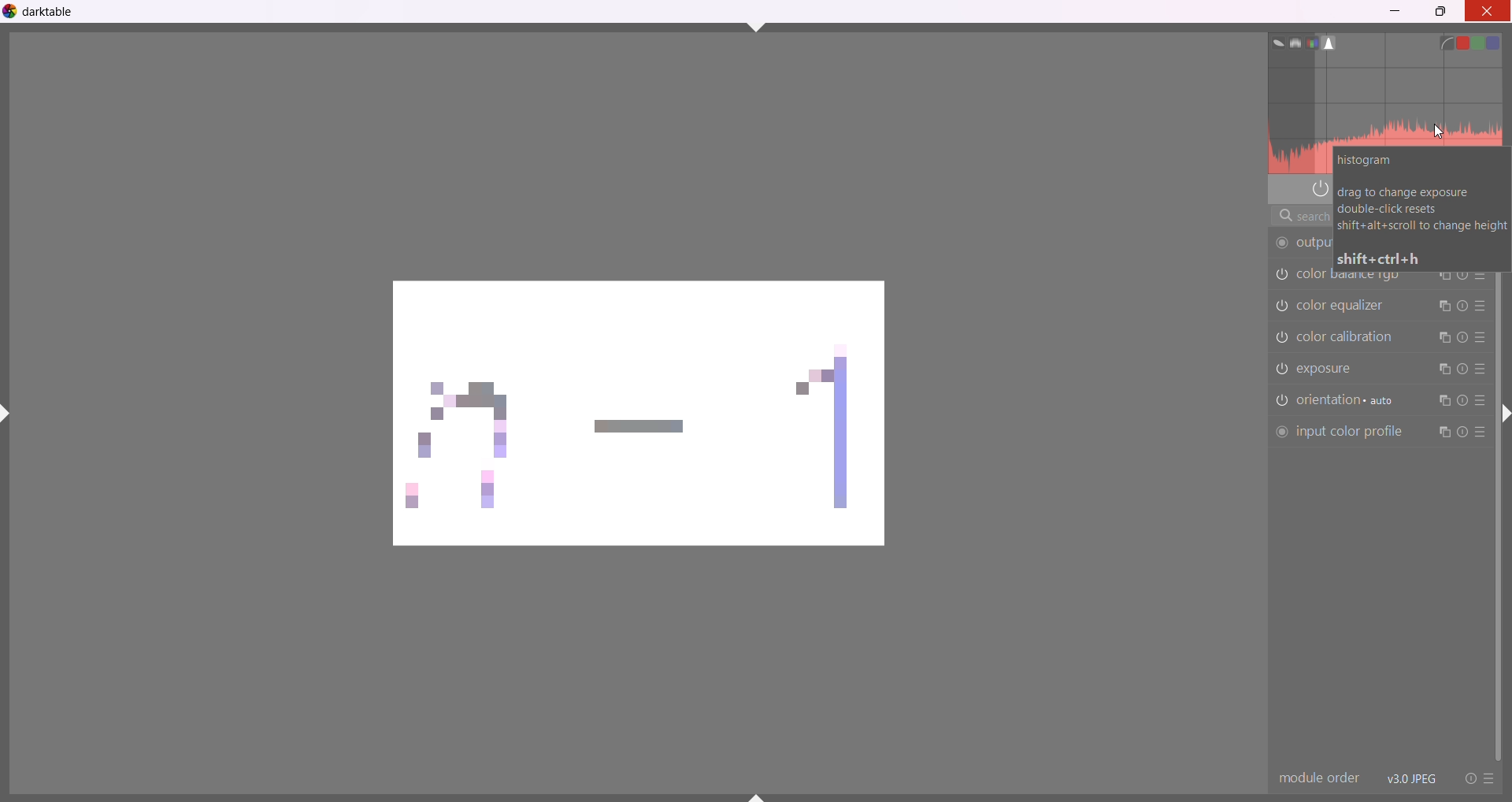  Describe the element at coordinates (1462, 304) in the screenshot. I see `reset parameters` at that location.